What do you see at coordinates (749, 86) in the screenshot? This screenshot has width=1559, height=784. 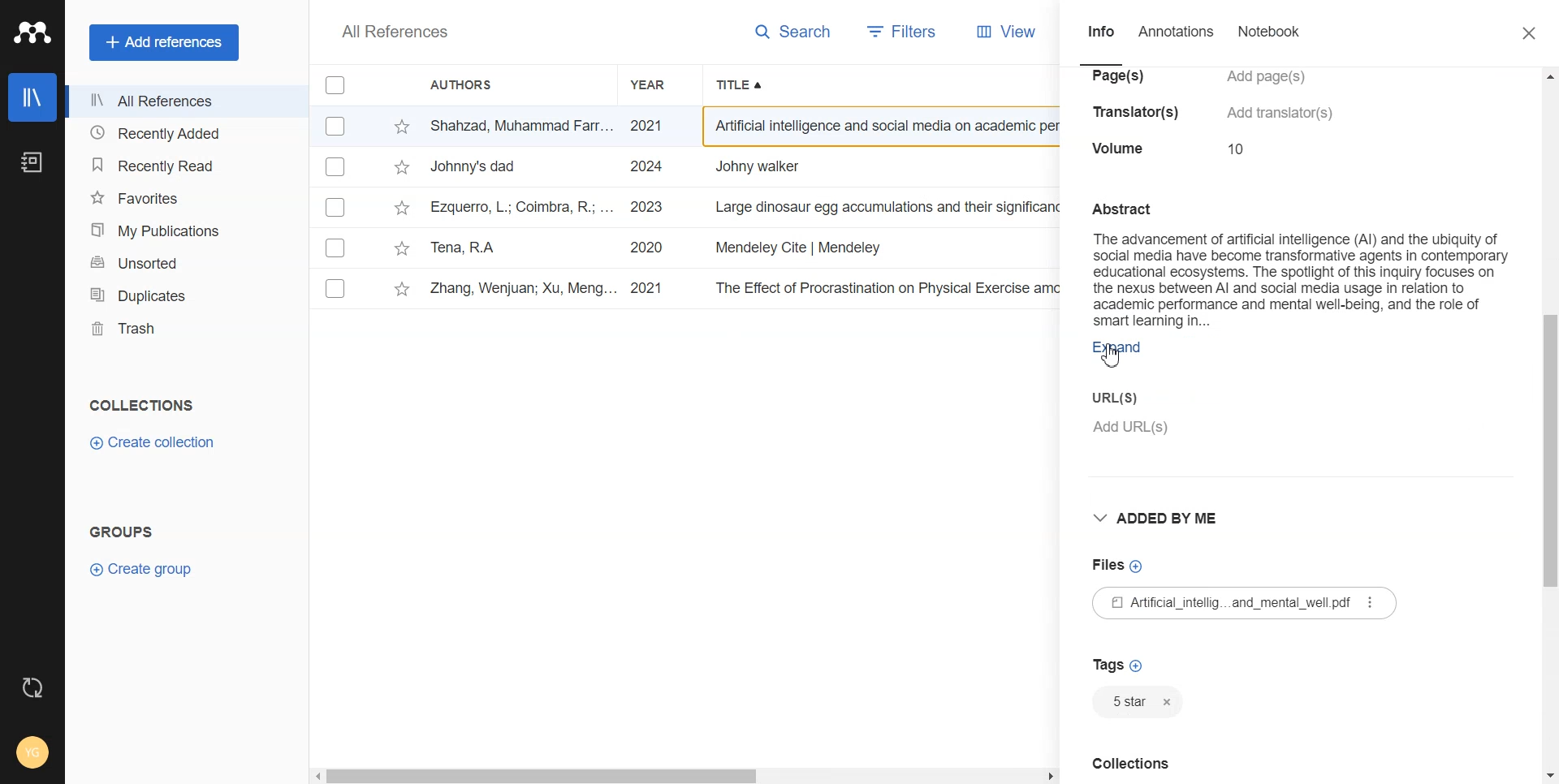 I see `Title` at bounding box center [749, 86].